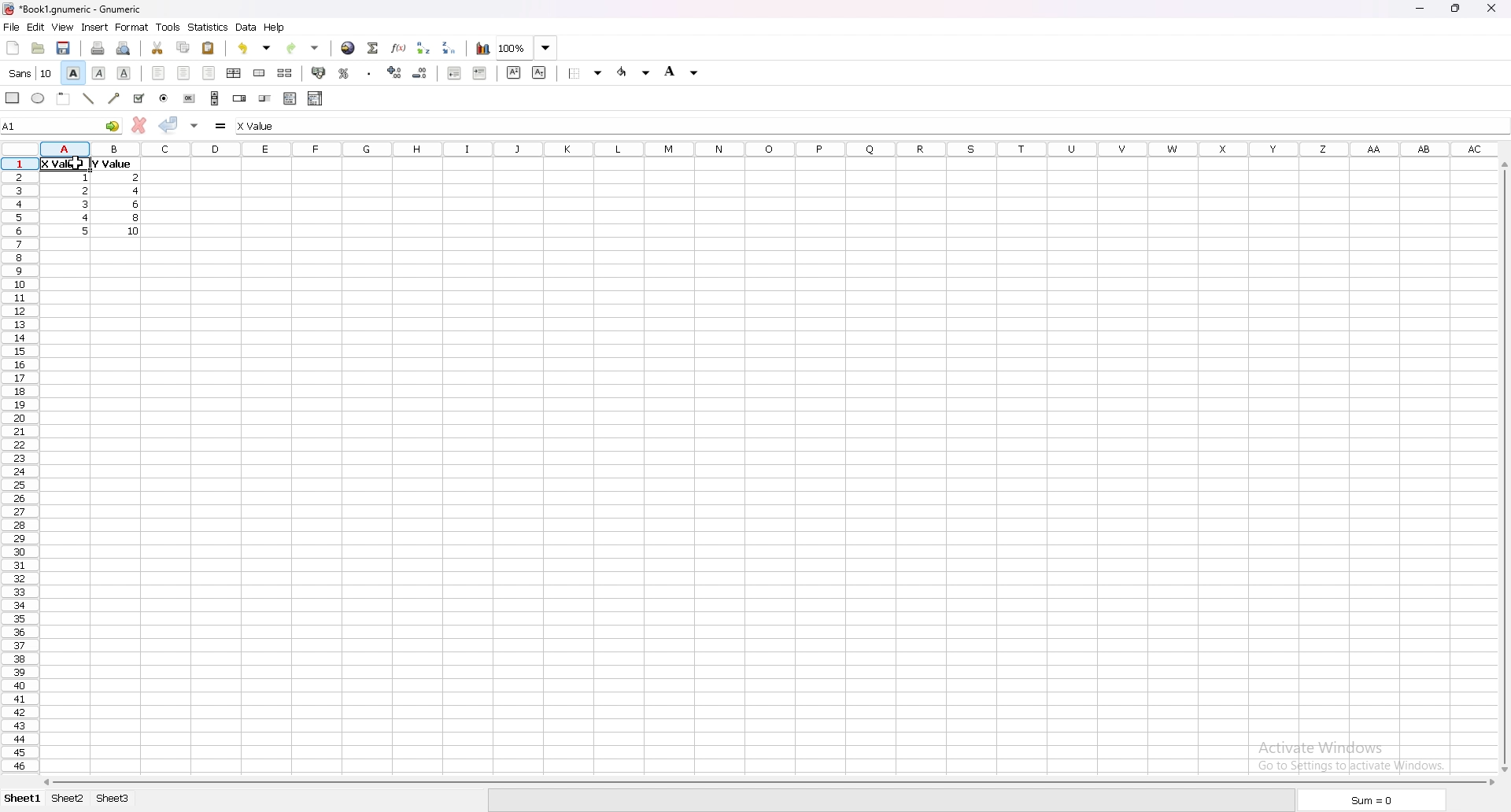 The width and height of the screenshot is (1511, 812). I want to click on sheet 2, so click(68, 799).